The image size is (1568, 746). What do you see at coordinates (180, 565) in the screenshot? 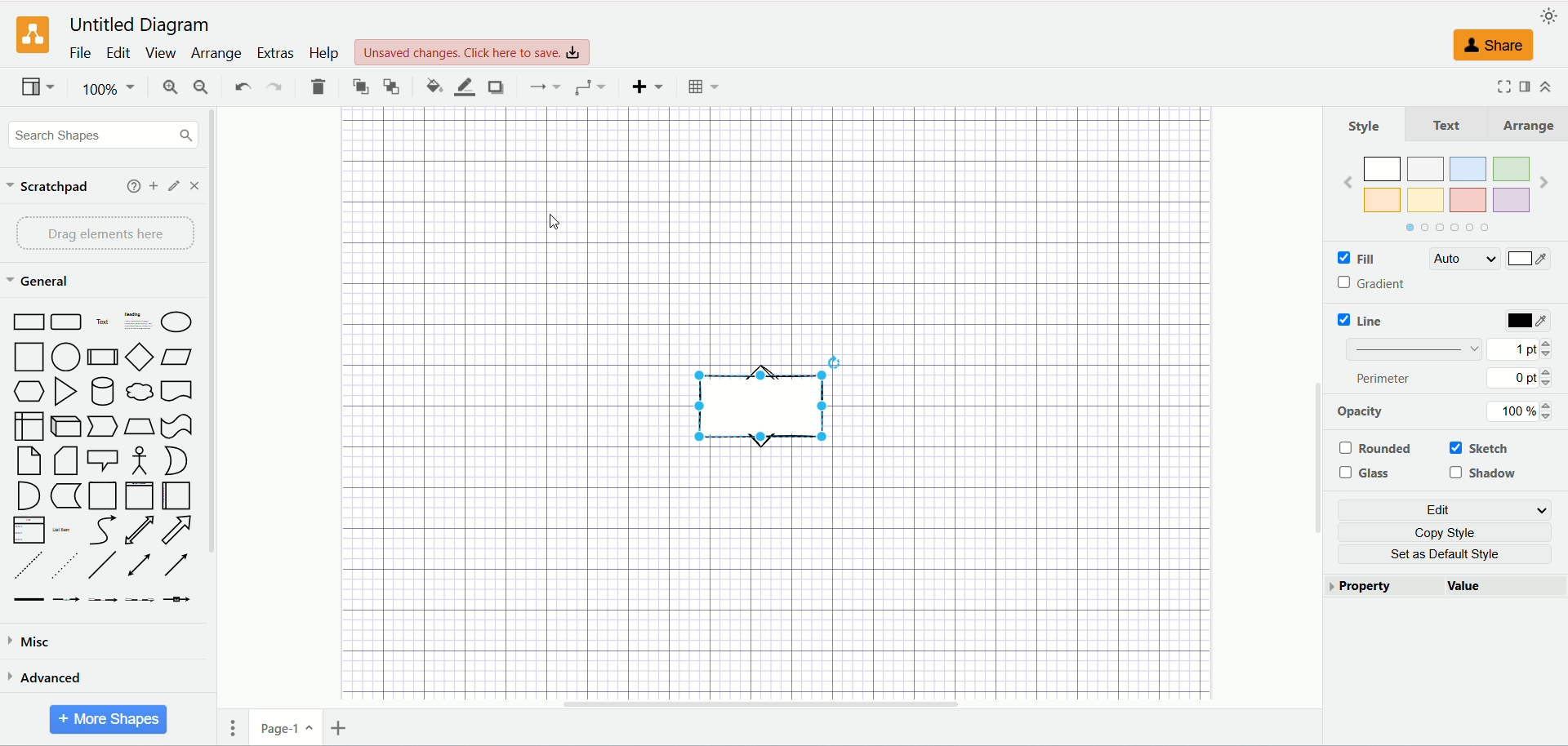
I see `Directional Arrow` at bounding box center [180, 565].